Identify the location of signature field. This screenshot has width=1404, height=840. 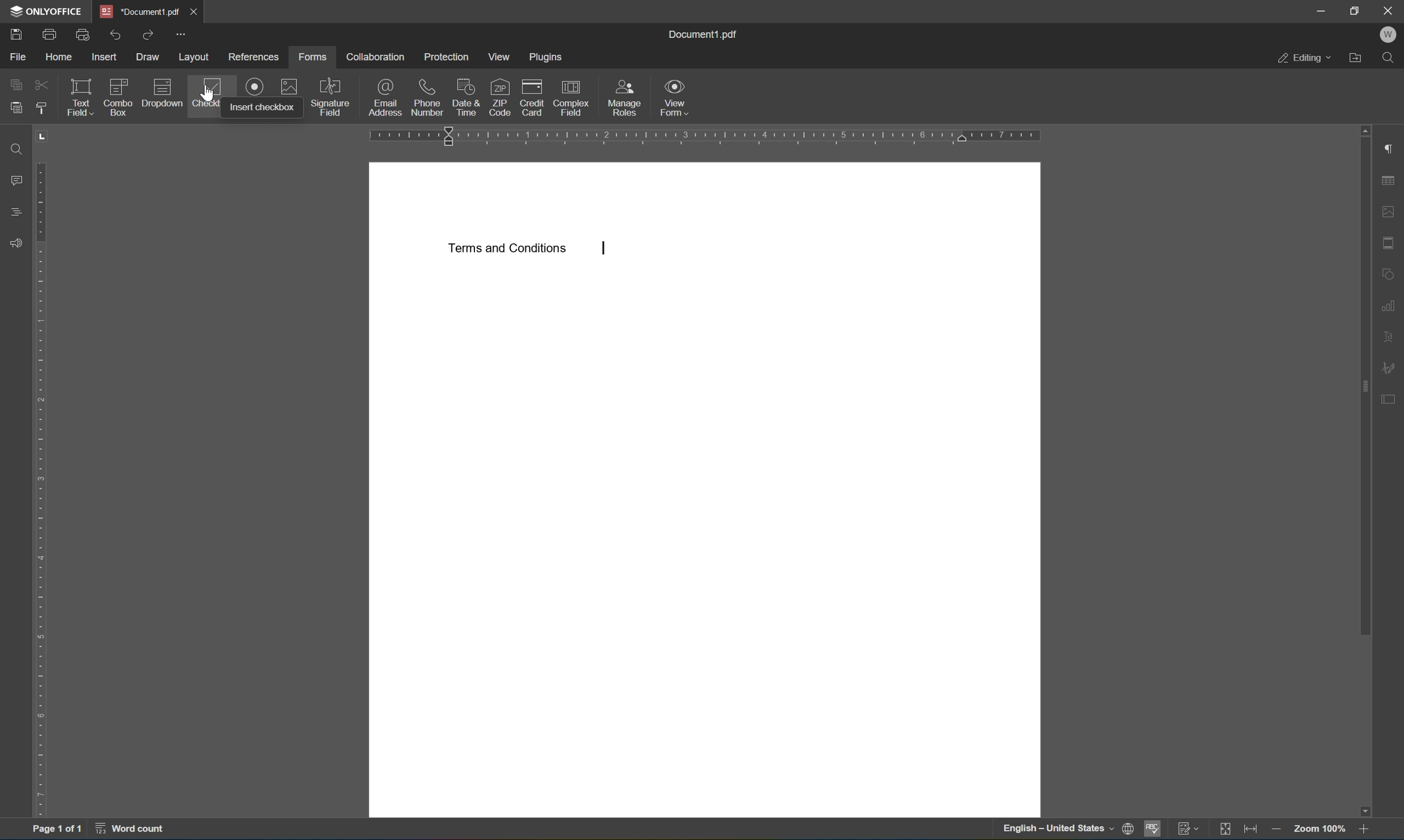
(330, 96).